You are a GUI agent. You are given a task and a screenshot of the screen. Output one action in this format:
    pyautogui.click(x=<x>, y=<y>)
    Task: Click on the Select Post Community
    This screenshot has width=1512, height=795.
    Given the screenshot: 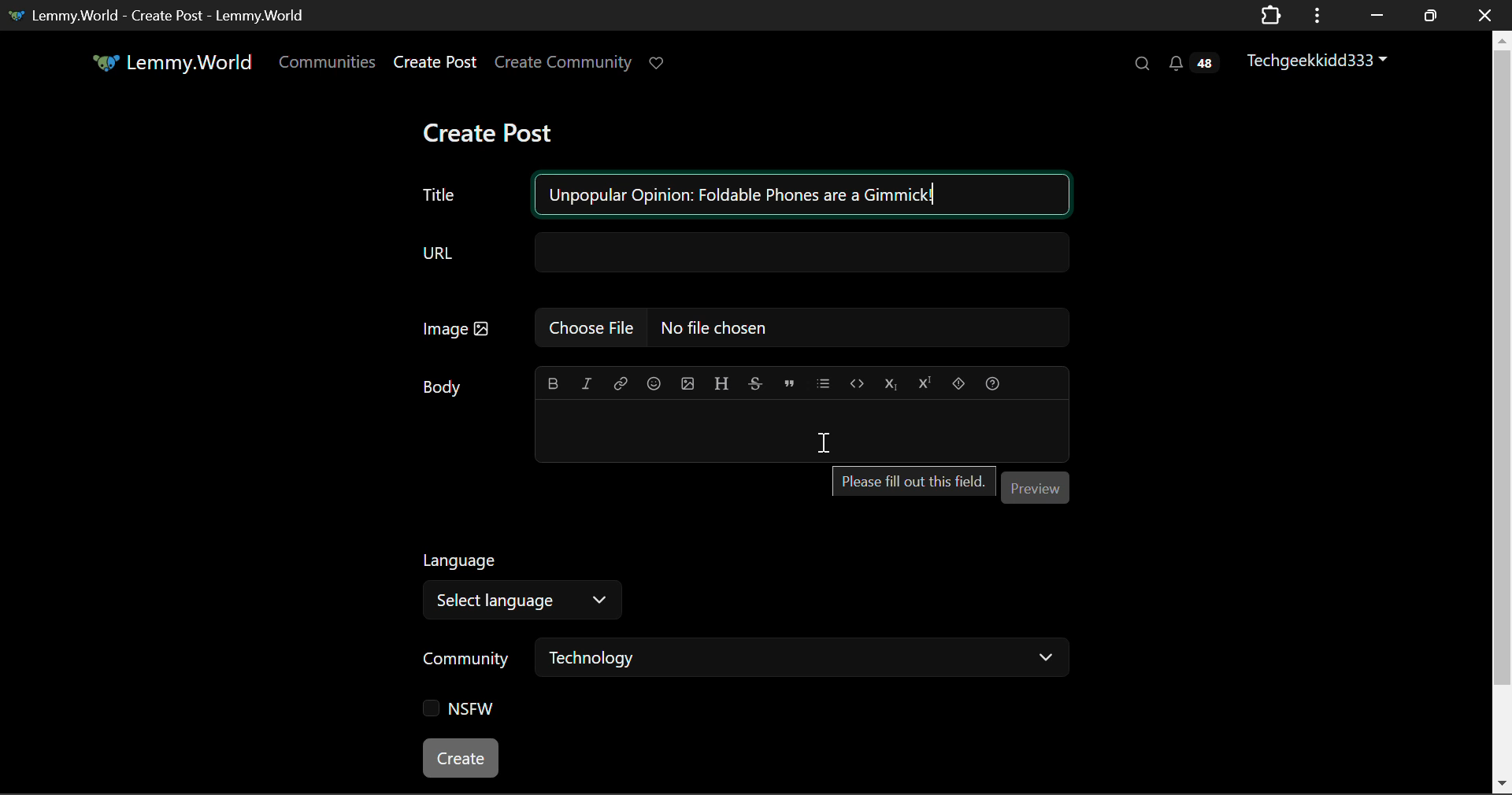 What is the action you would take?
    pyautogui.click(x=746, y=660)
    